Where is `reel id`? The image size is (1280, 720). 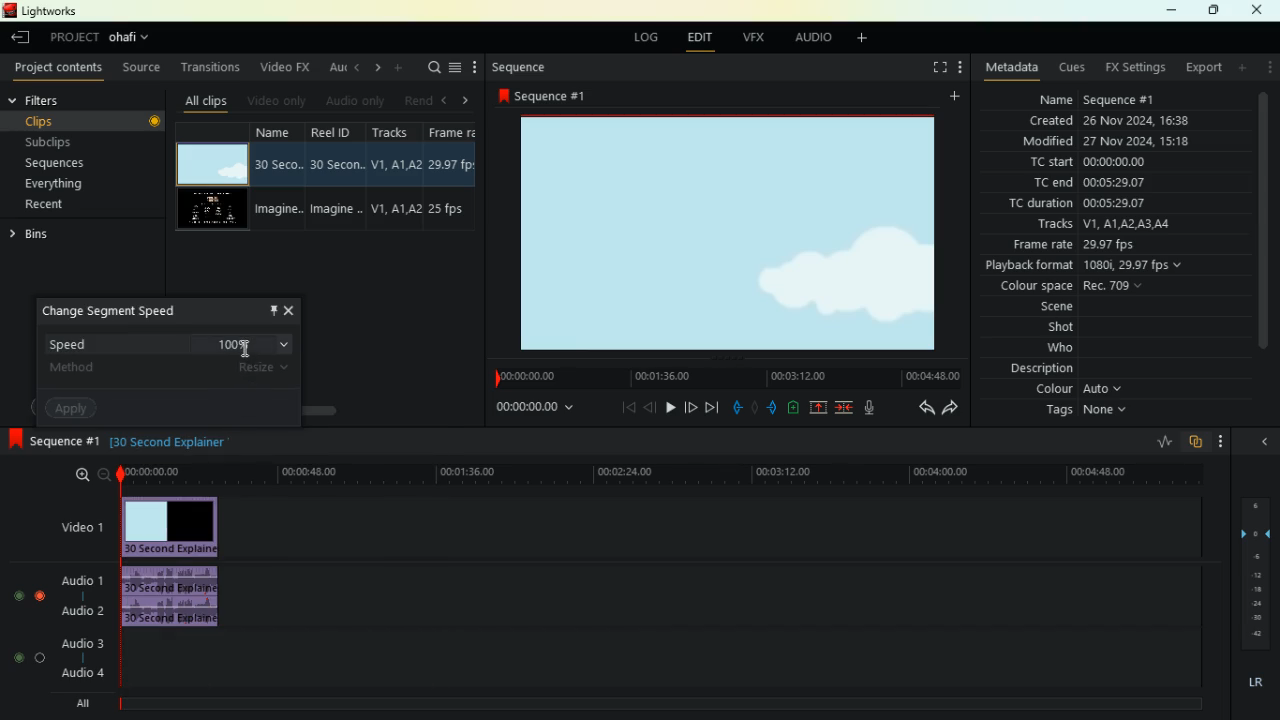 reel id is located at coordinates (339, 178).